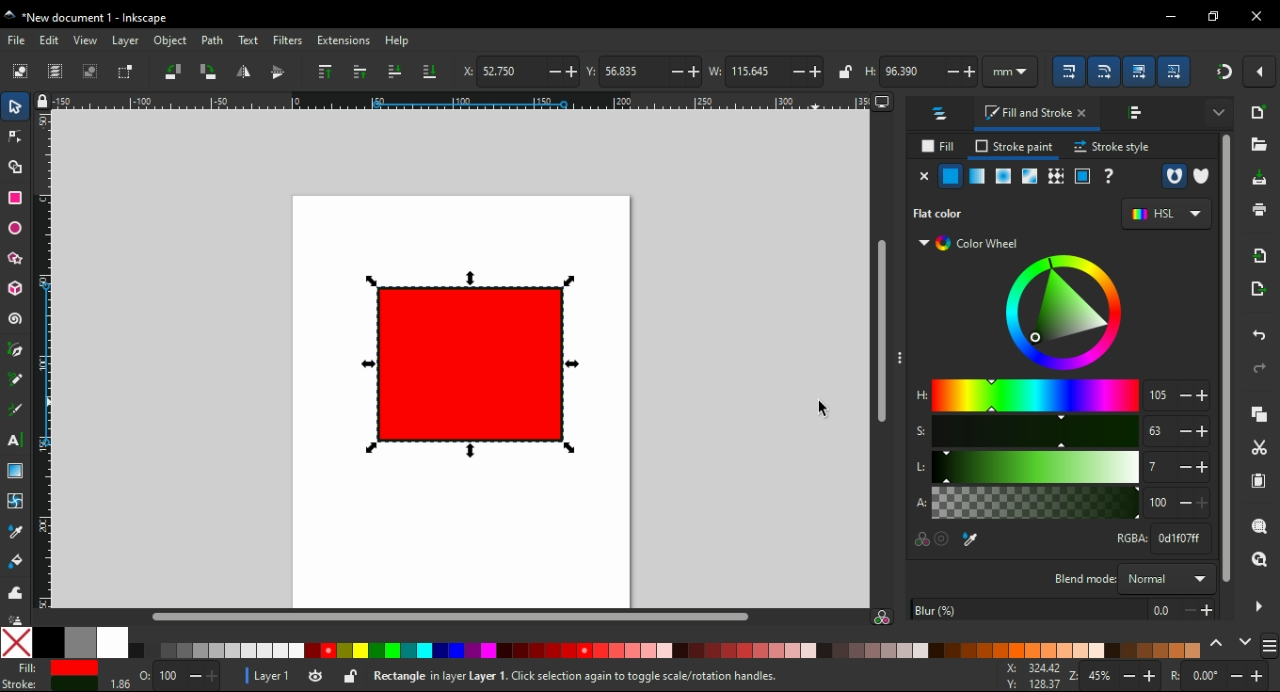 This screenshot has height=692, width=1280. Describe the element at coordinates (1003, 176) in the screenshot. I see `radial gradient` at that location.